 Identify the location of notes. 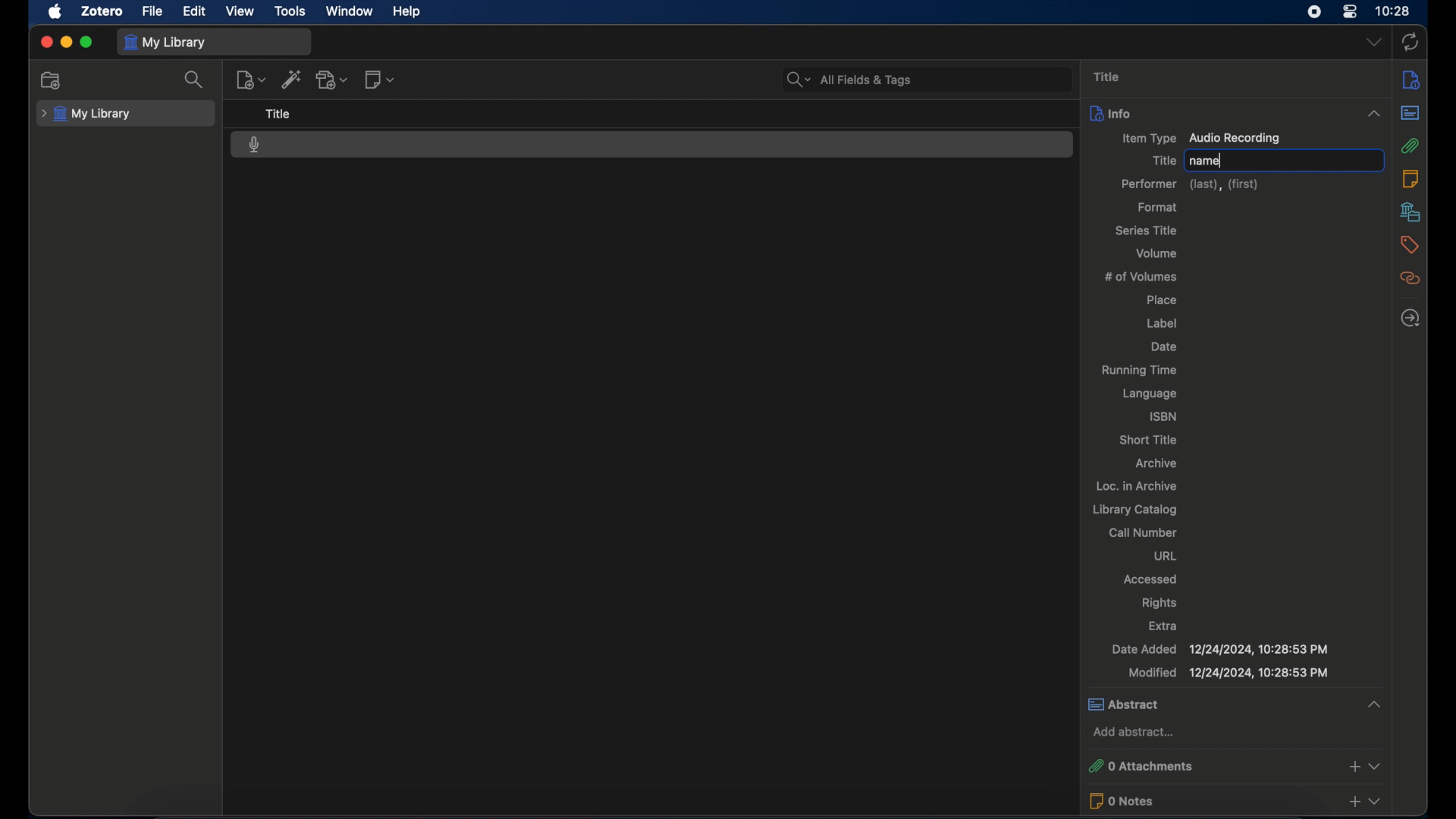
(1410, 179).